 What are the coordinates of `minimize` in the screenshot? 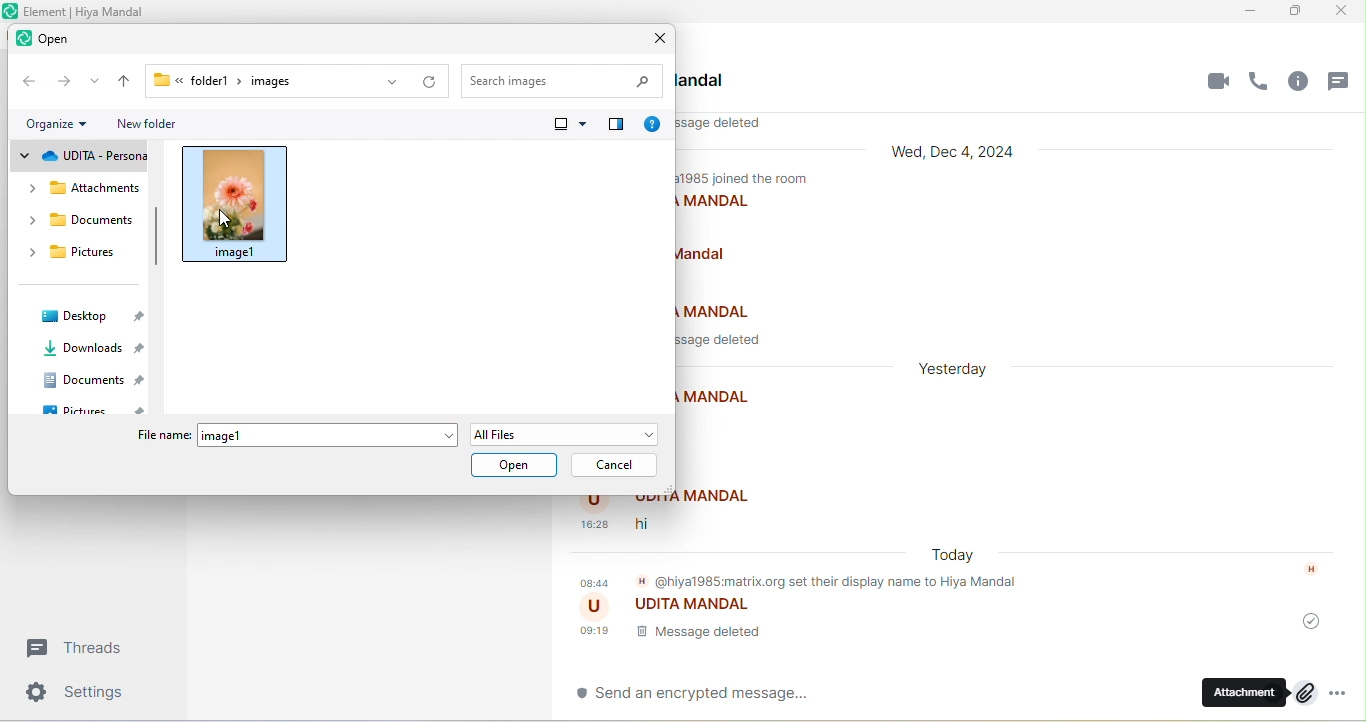 It's located at (1252, 11).